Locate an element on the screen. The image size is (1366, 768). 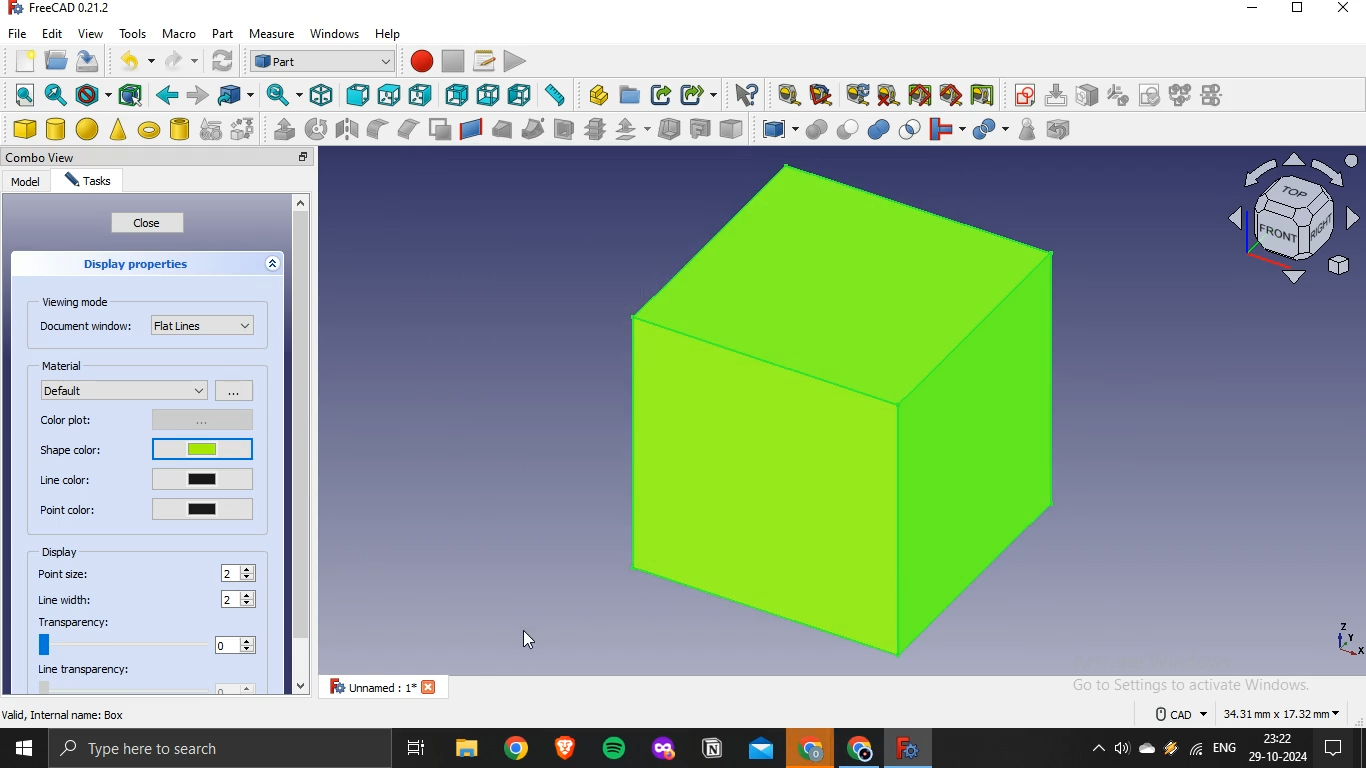
execute macro recording is located at coordinates (516, 60).